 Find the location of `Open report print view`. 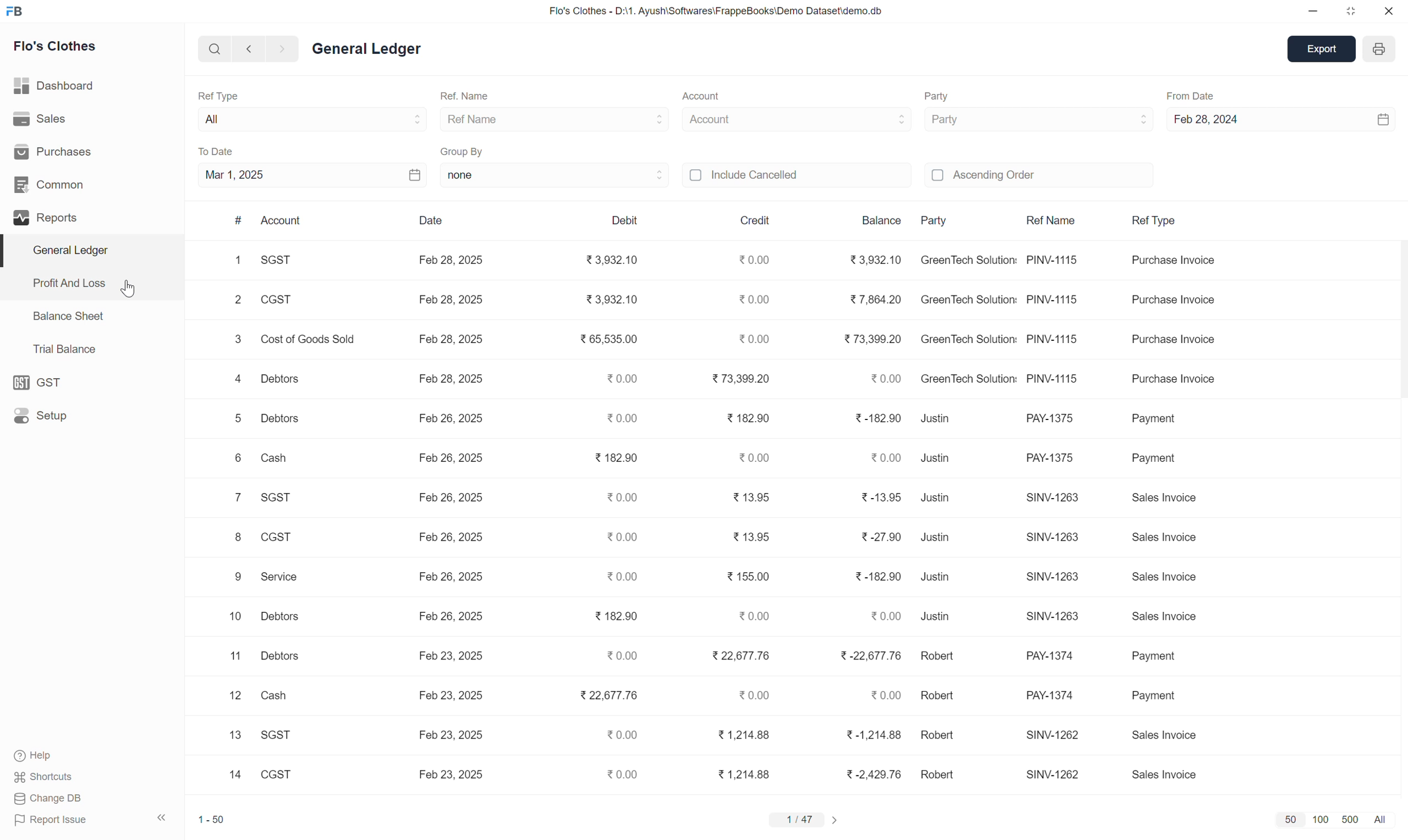

Open report print view is located at coordinates (1377, 49).